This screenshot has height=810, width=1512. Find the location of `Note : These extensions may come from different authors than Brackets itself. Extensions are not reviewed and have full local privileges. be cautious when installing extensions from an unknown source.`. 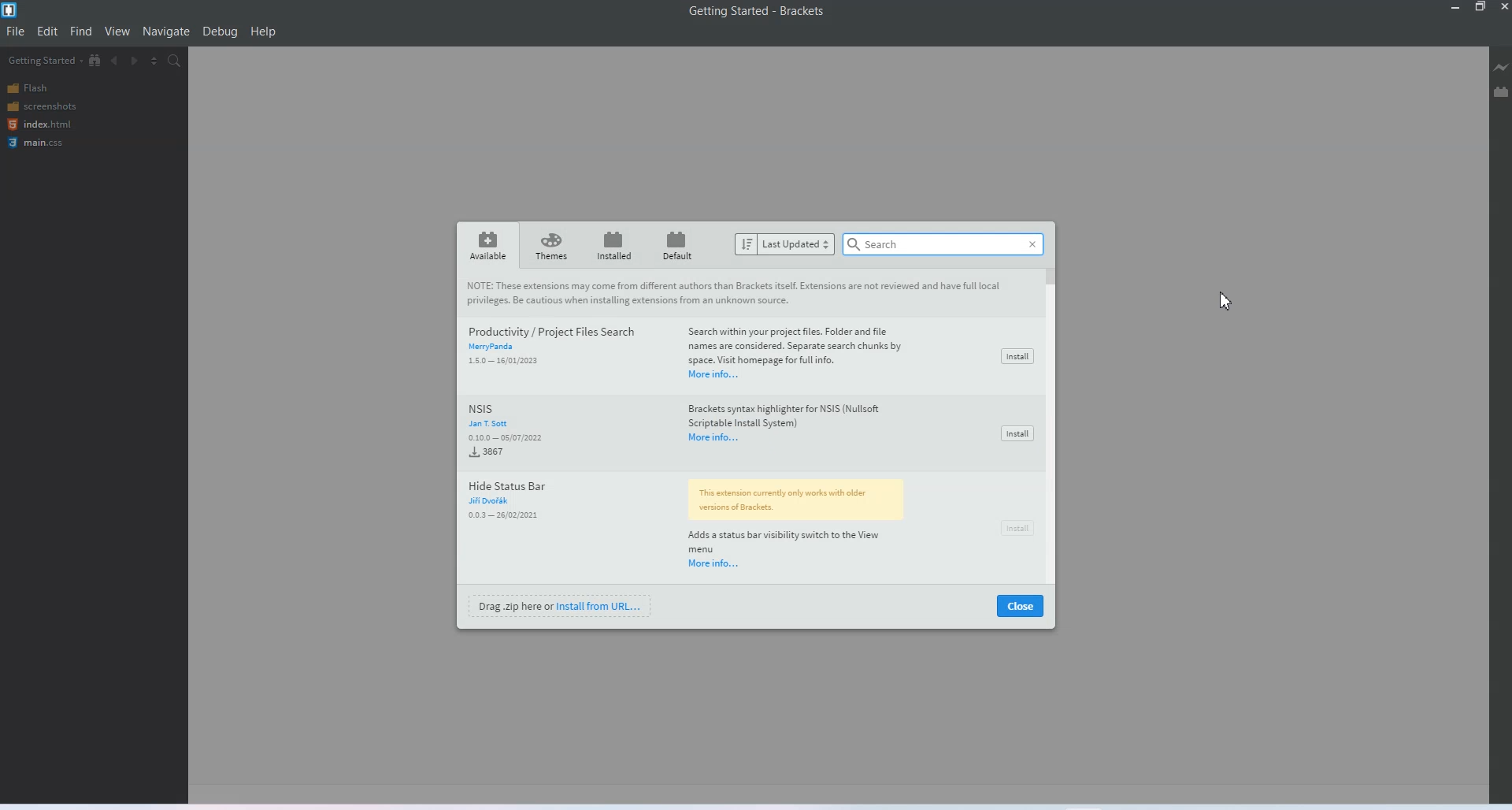

Note : These extensions may come from different authors than Brackets itself. Extensions are not reviewed and have full local privileges. be cautious when installing extensions from an unknown source. is located at coordinates (743, 291).